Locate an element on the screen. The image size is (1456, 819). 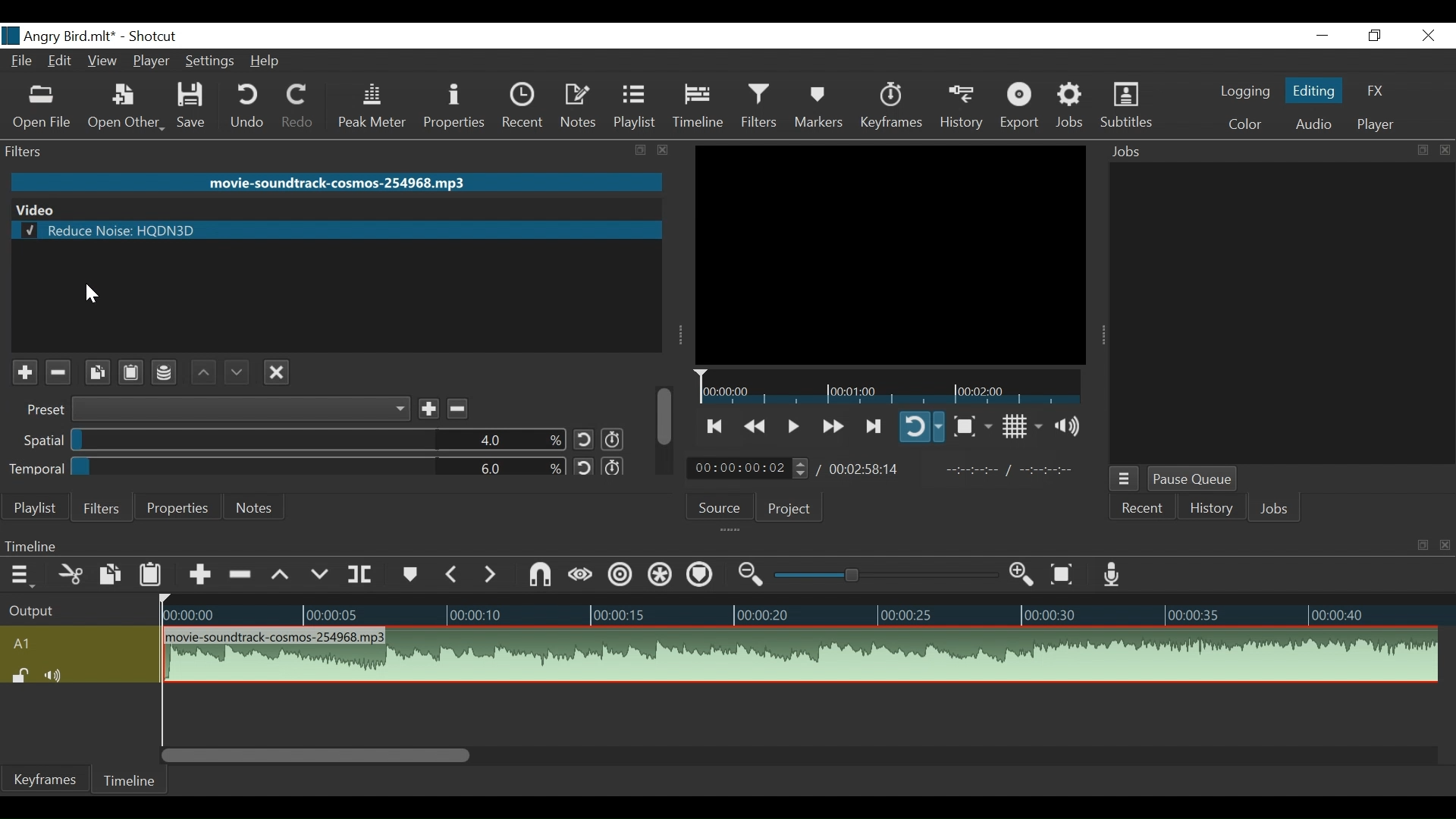
Mute is located at coordinates (56, 674).